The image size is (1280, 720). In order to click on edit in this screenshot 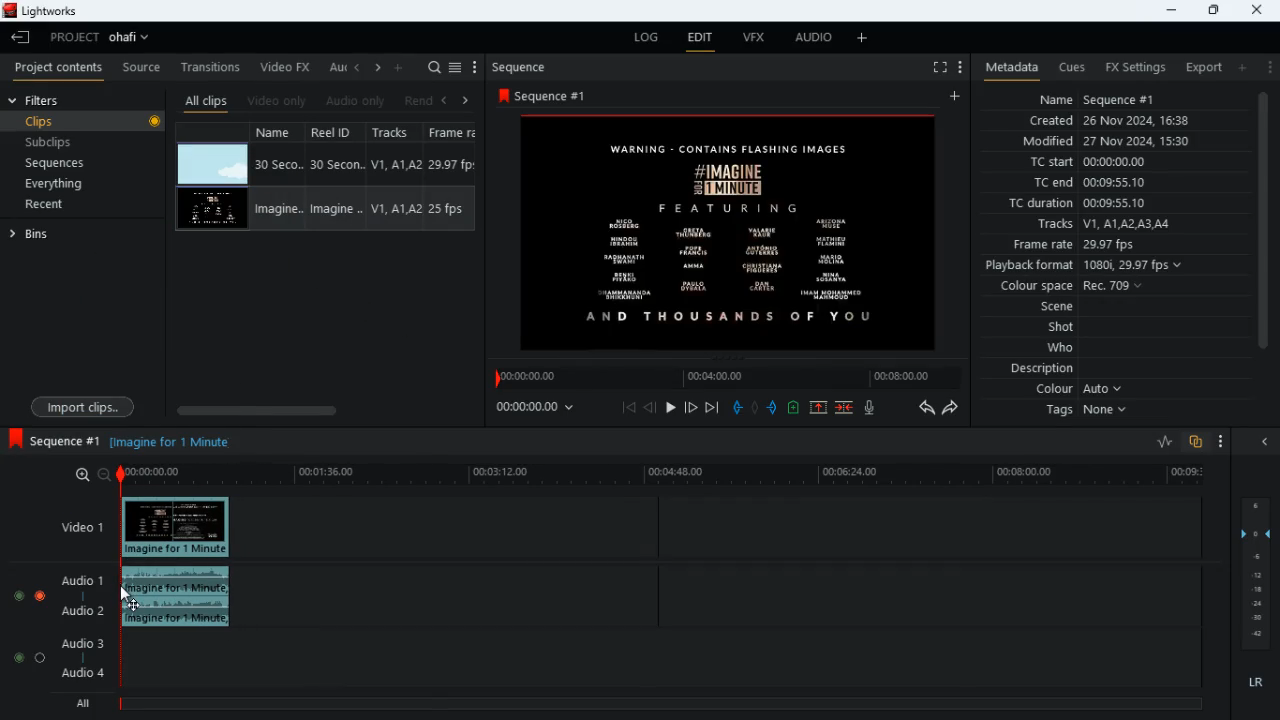, I will do `click(700, 40)`.